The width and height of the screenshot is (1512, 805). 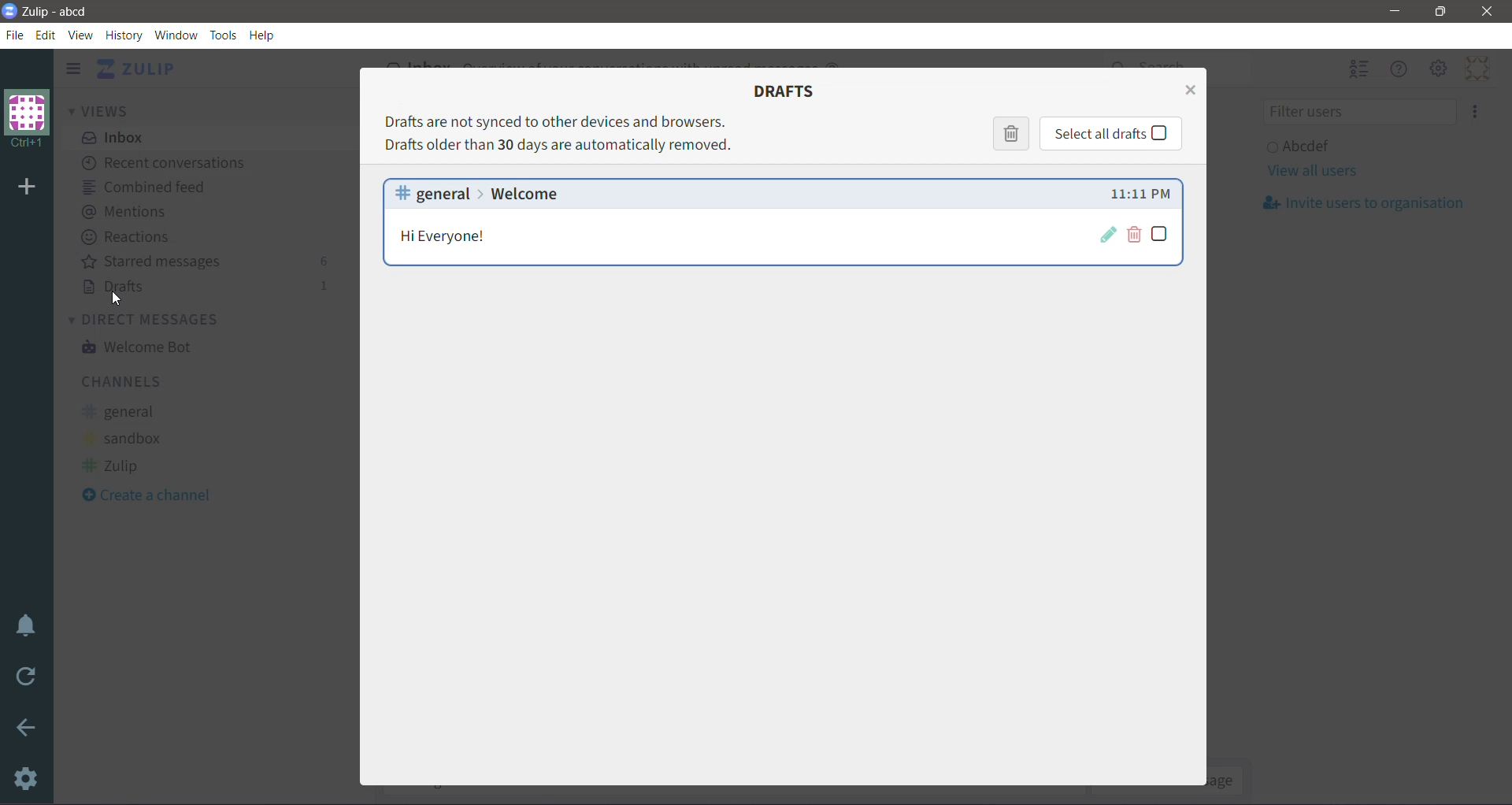 What do you see at coordinates (125, 36) in the screenshot?
I see `History` at bounding box center [125, 36].